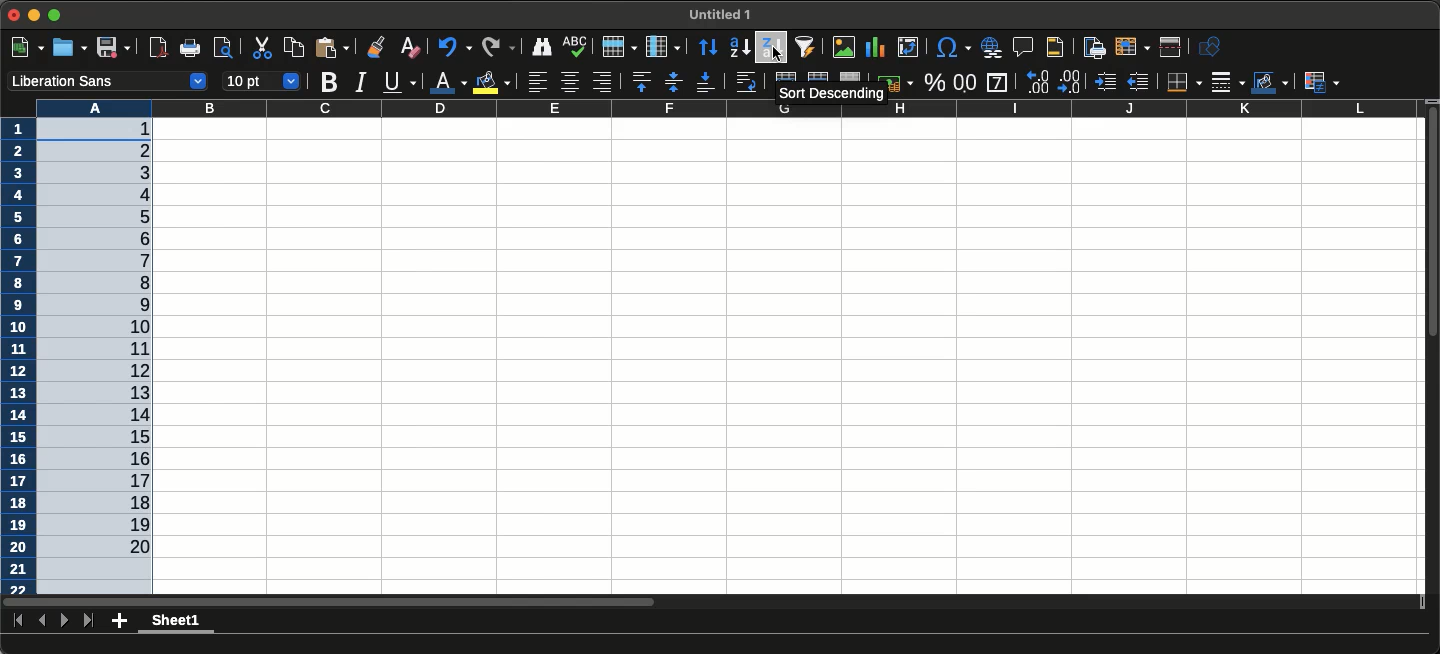 The image size is (1440, 654). I want to click on Align right, so click(602, 83).